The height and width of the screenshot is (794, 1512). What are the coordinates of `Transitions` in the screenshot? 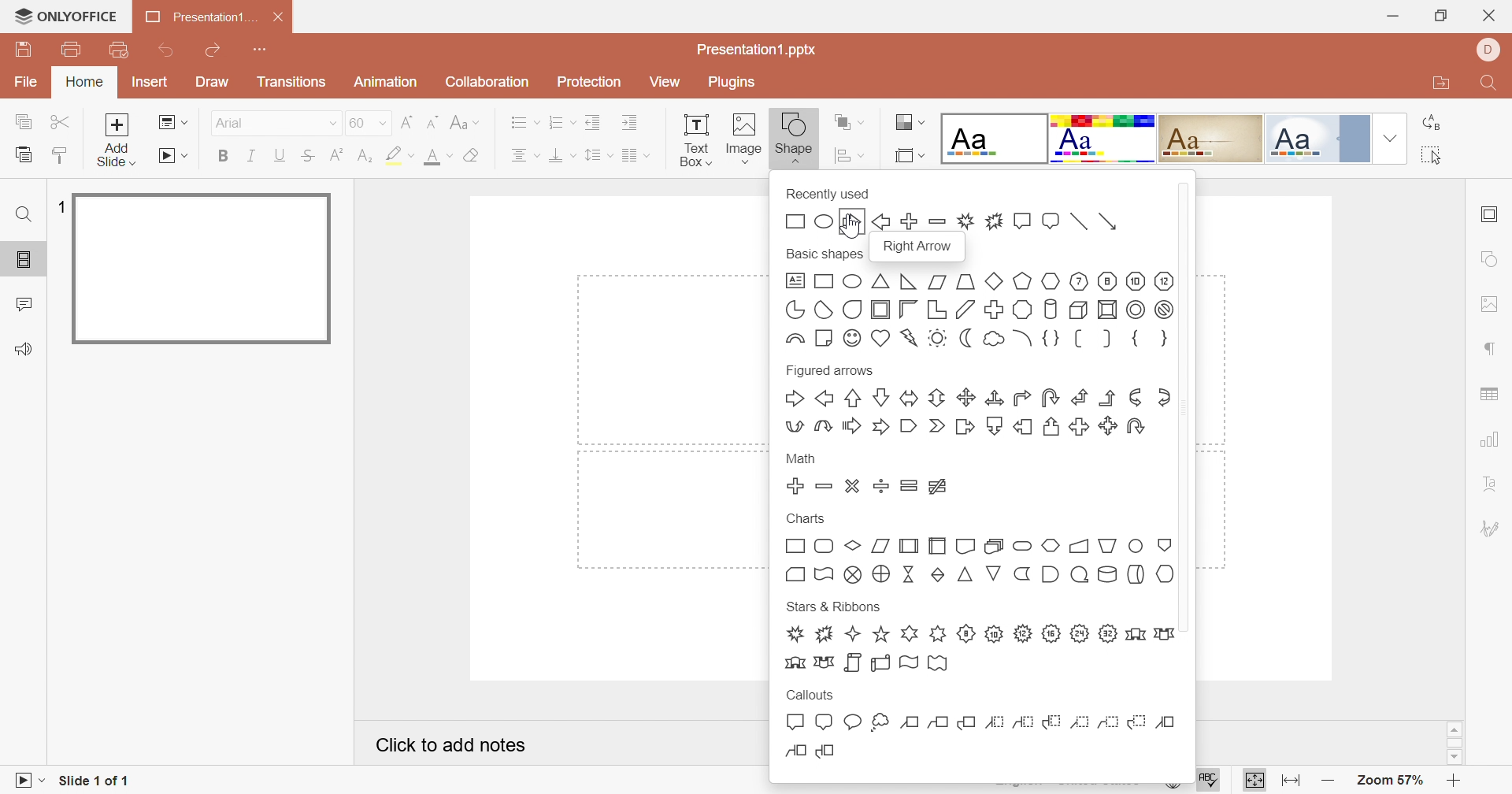 It's located at (292, 81).